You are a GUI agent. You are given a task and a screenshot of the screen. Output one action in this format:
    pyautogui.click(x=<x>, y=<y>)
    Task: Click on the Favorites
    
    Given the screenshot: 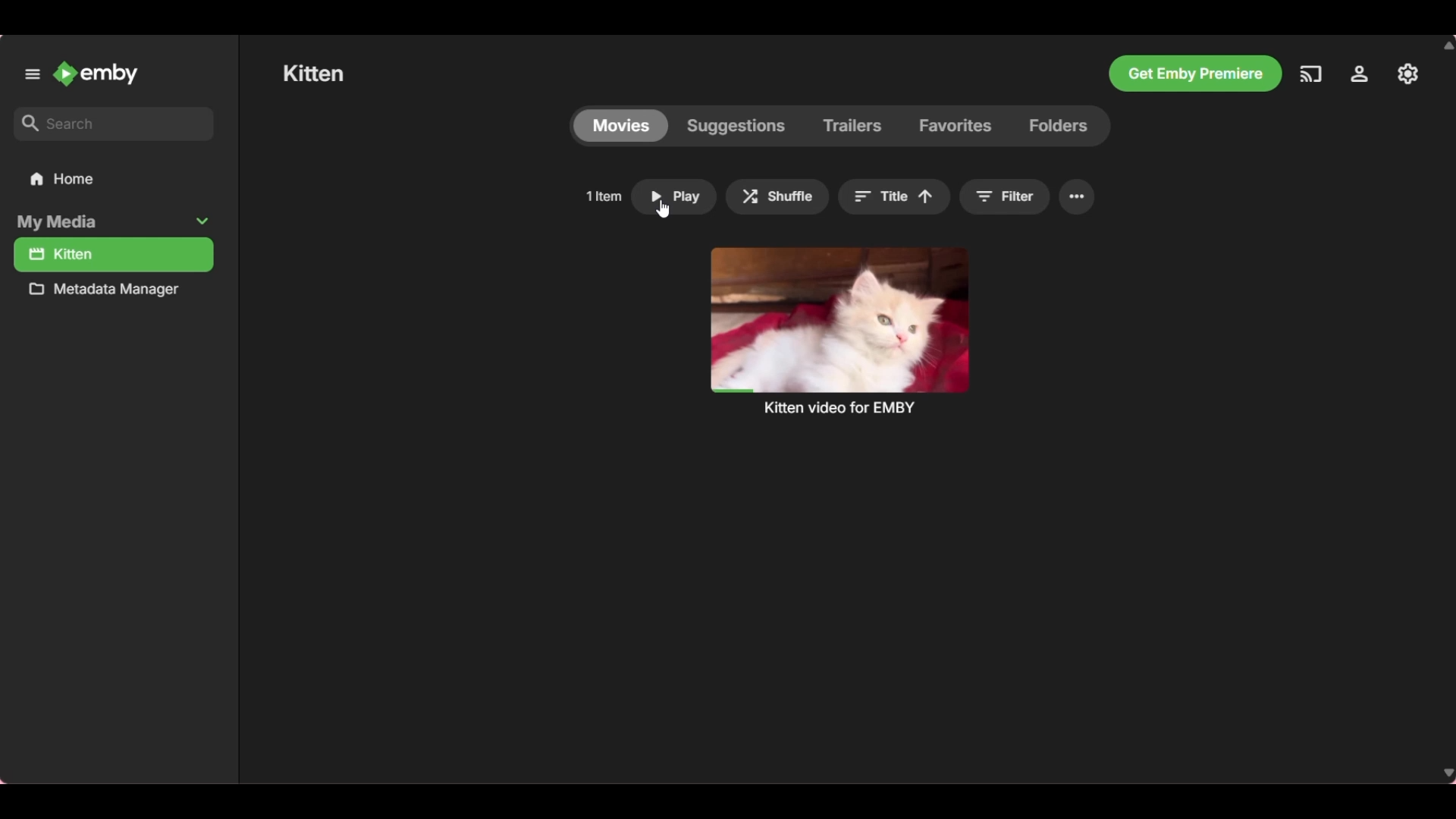 What is the action you would take?
    pyautogui.click(x=955, y=126)
    